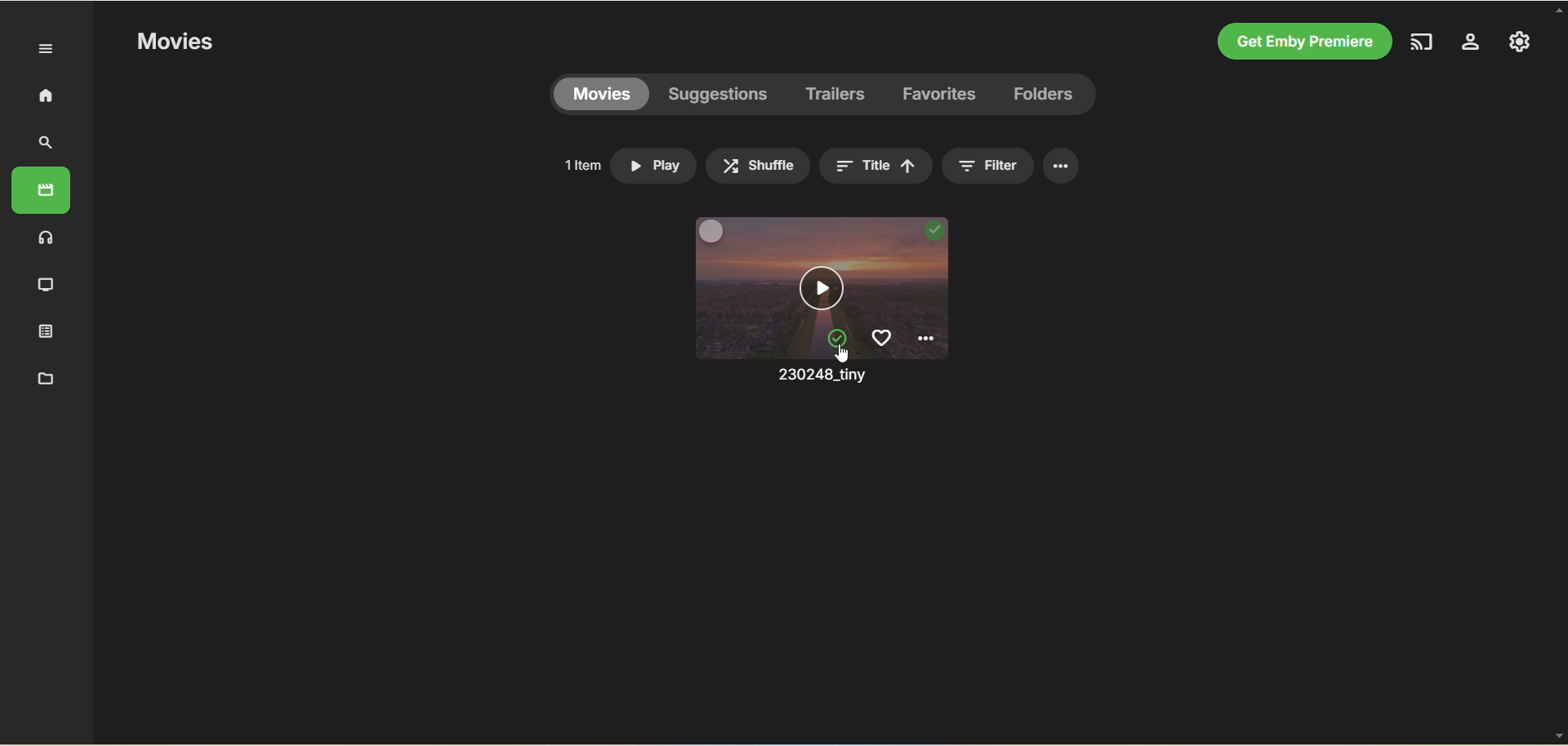 The image size is (1568, 746). Describe the element at coordinates (1302, 41) in the screenshot. I see `get emby premiere` at that location.